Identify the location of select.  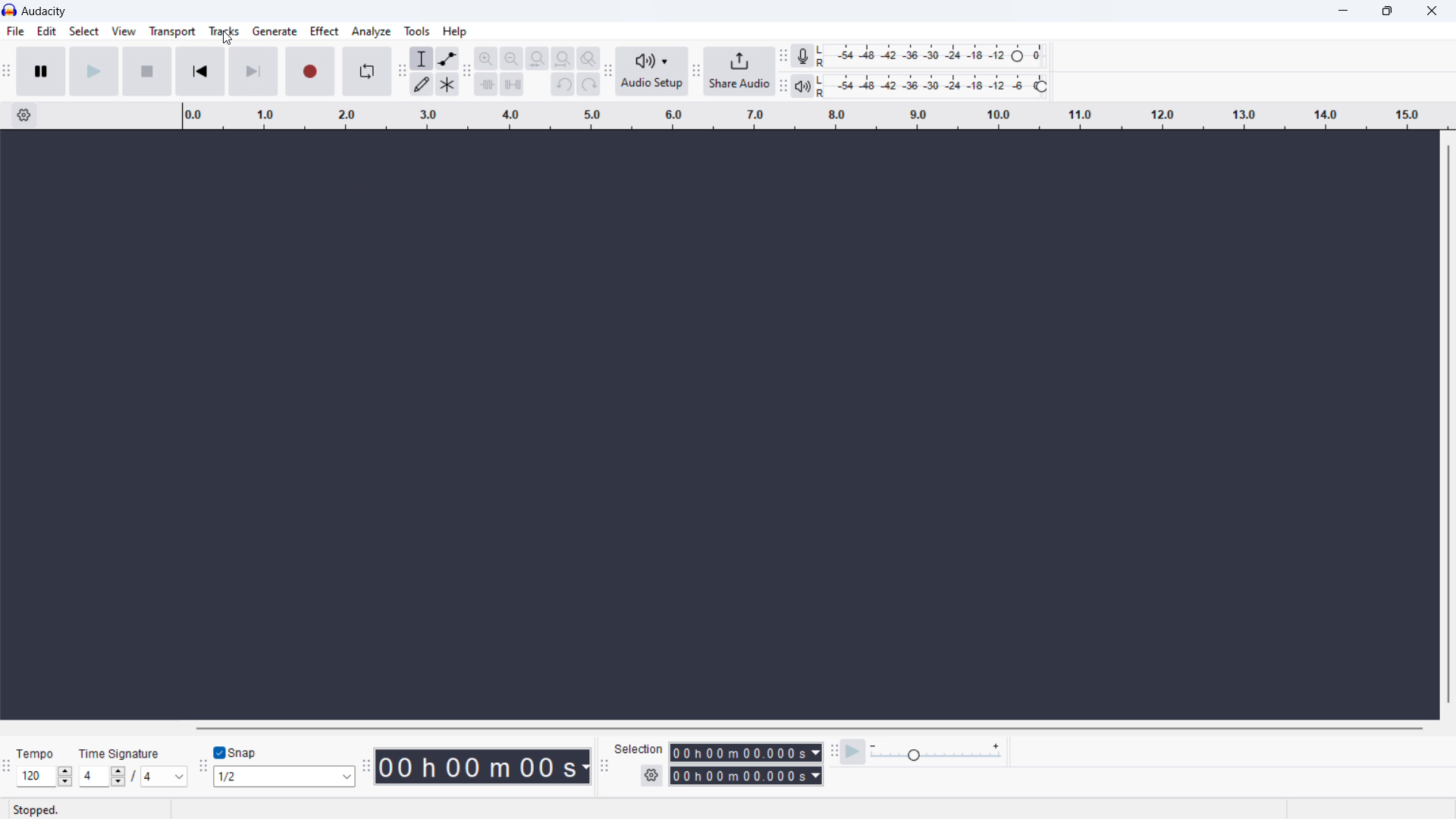
(83, 30).